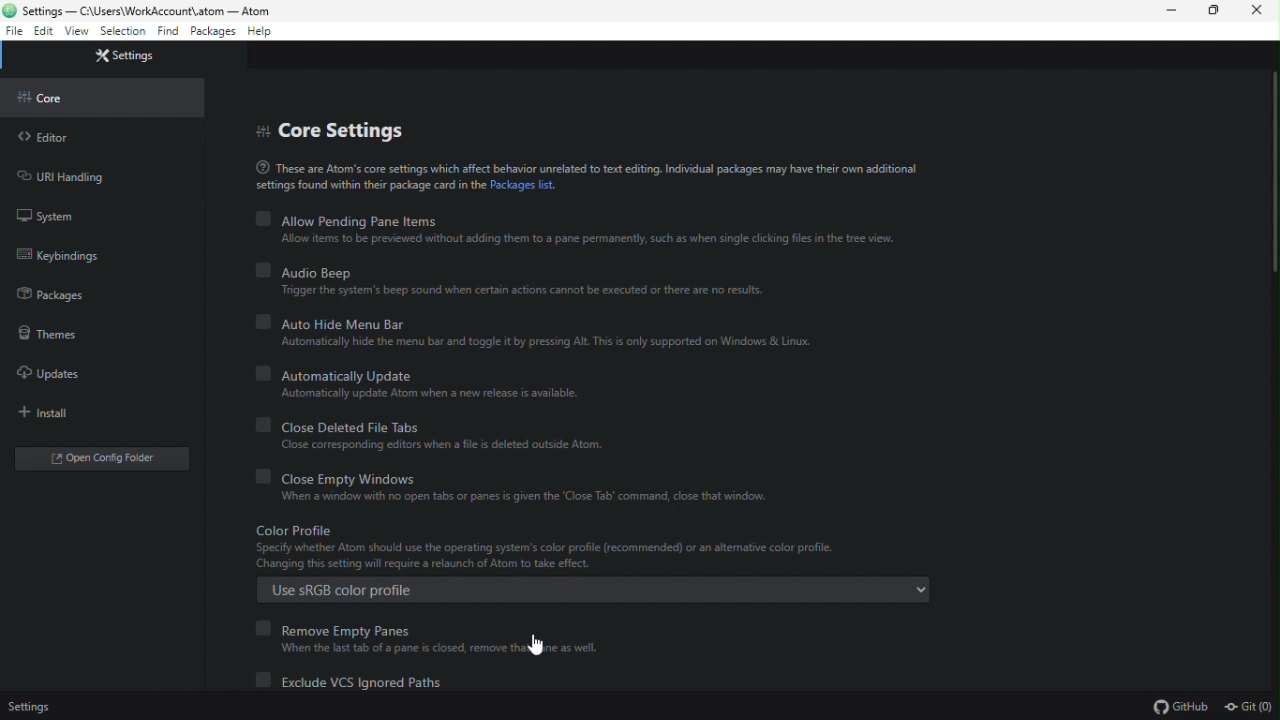  I want to click on updates, so click(50, 374).